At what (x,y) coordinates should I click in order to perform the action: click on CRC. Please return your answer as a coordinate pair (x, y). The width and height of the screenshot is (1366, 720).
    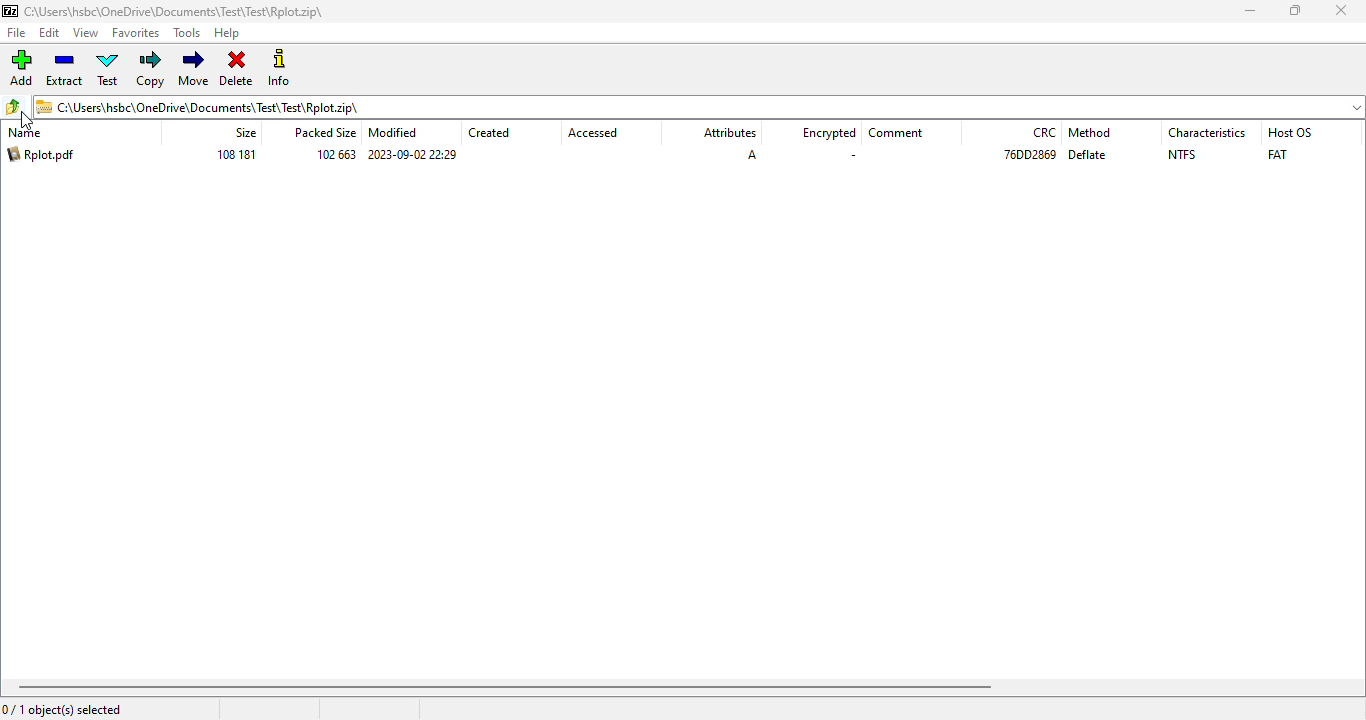
    Looking at the image, I should click on (1043, 132).